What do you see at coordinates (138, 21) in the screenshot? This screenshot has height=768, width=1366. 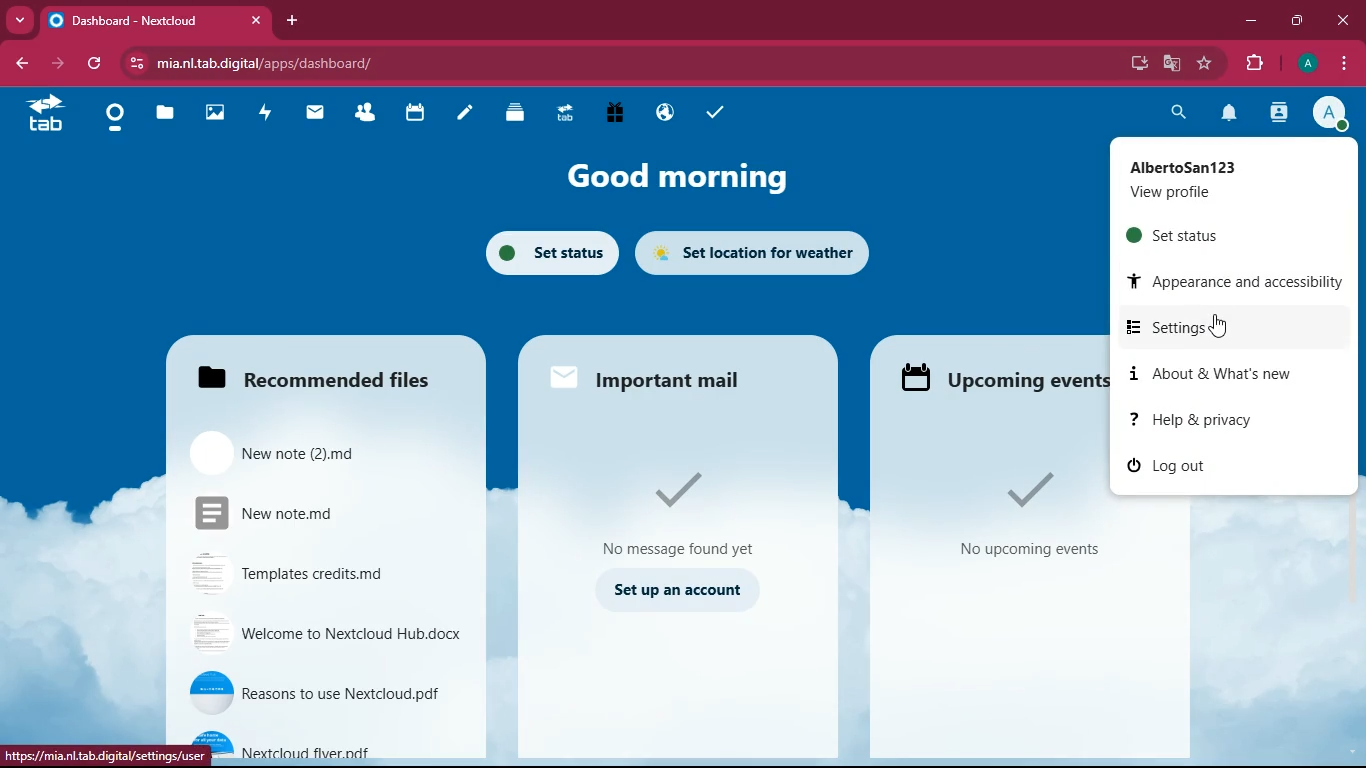 I see `Dashboard - Nextcloud` at bounding box center [138, 21].